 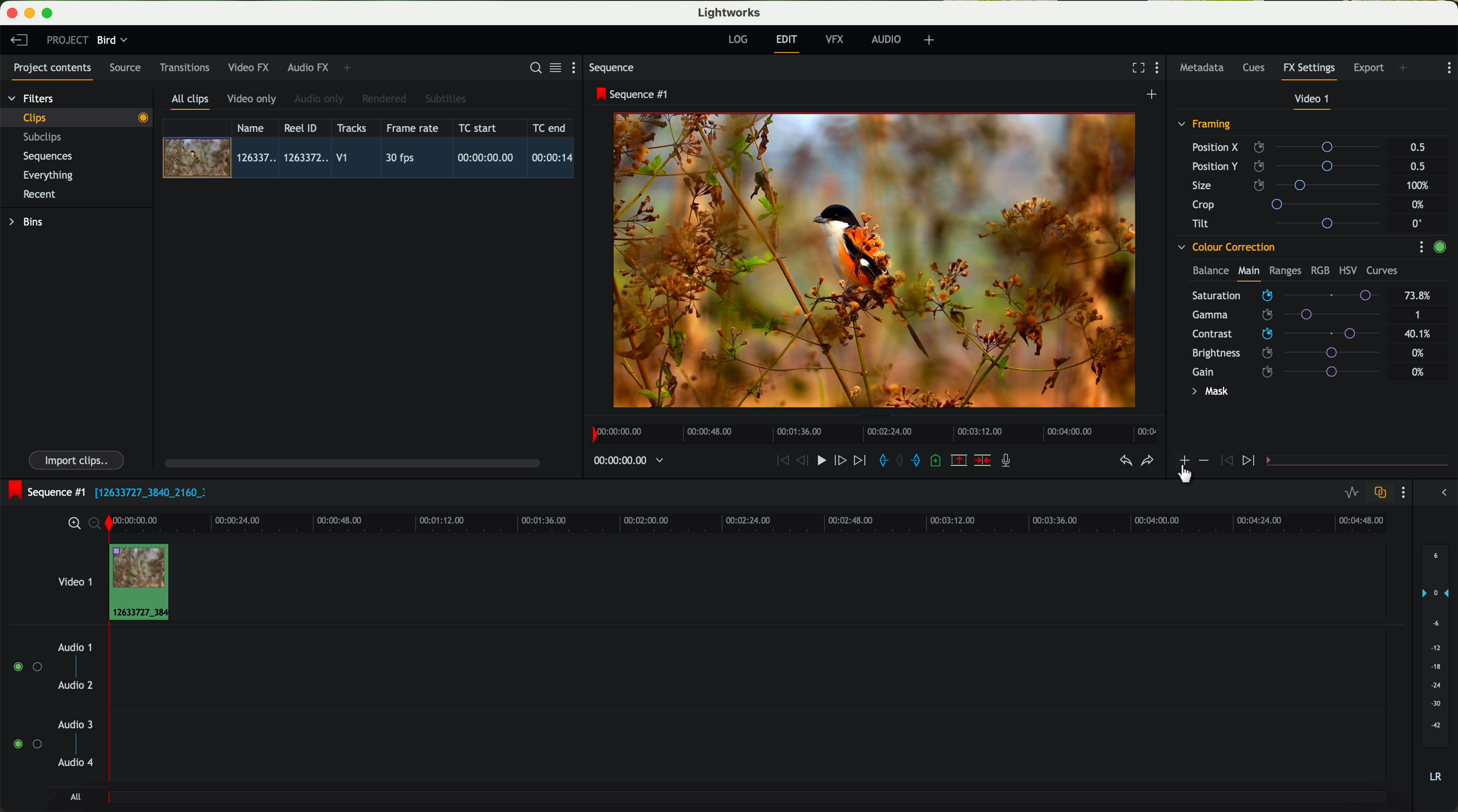 I want to click on subtitles, so click(x=444, y=99).